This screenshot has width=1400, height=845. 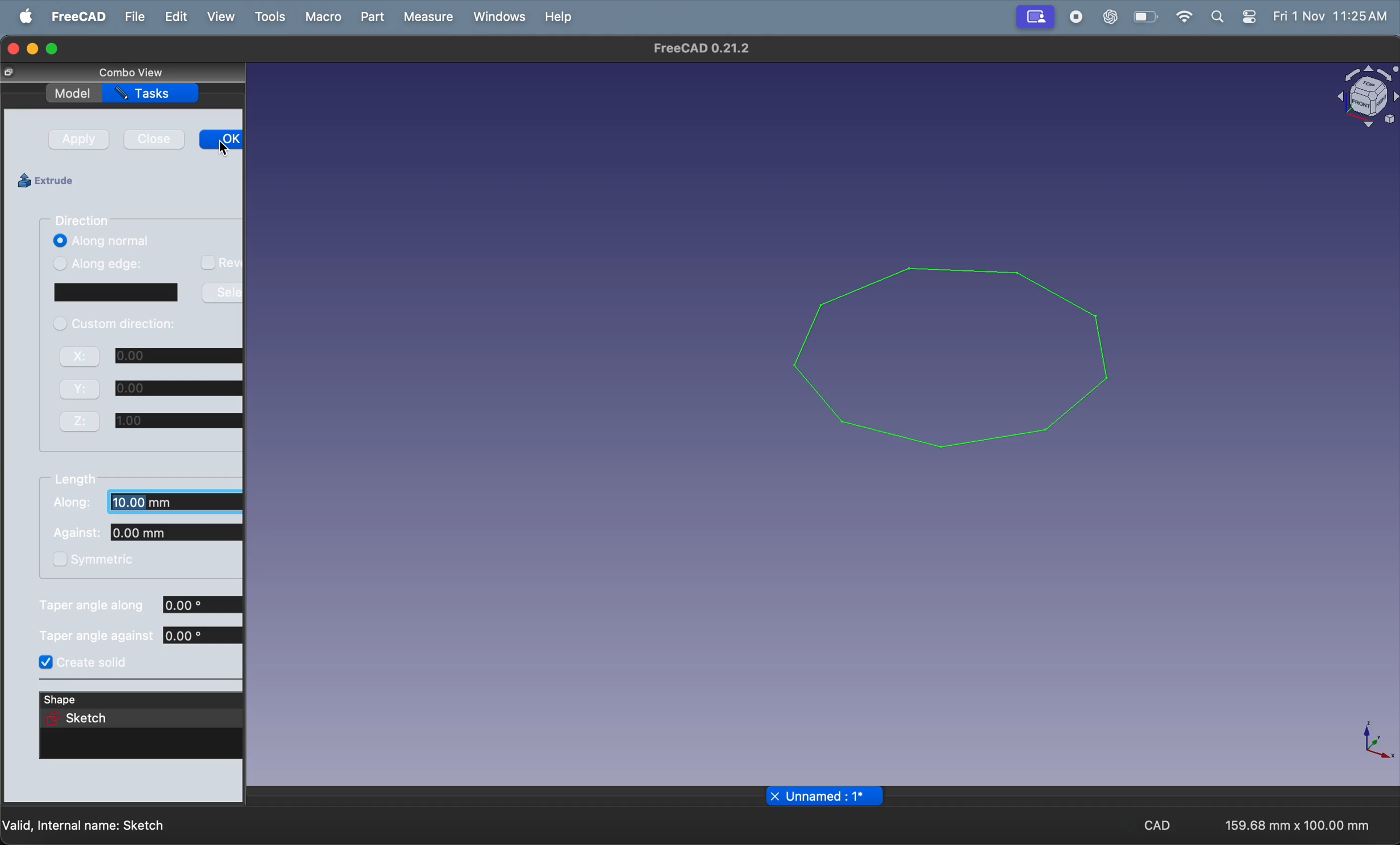 I want to click on CAD, so click(x=1164, y=825).